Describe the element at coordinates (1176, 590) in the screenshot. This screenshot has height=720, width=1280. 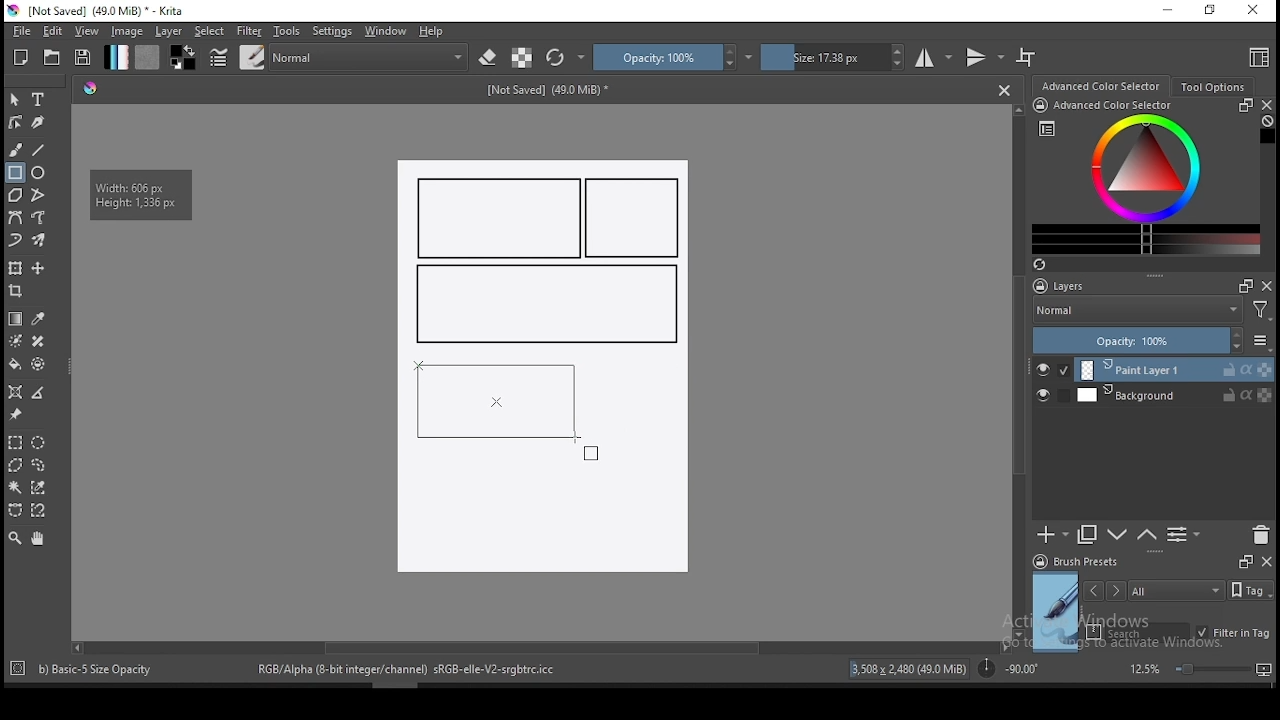
I see `tags` at that location.